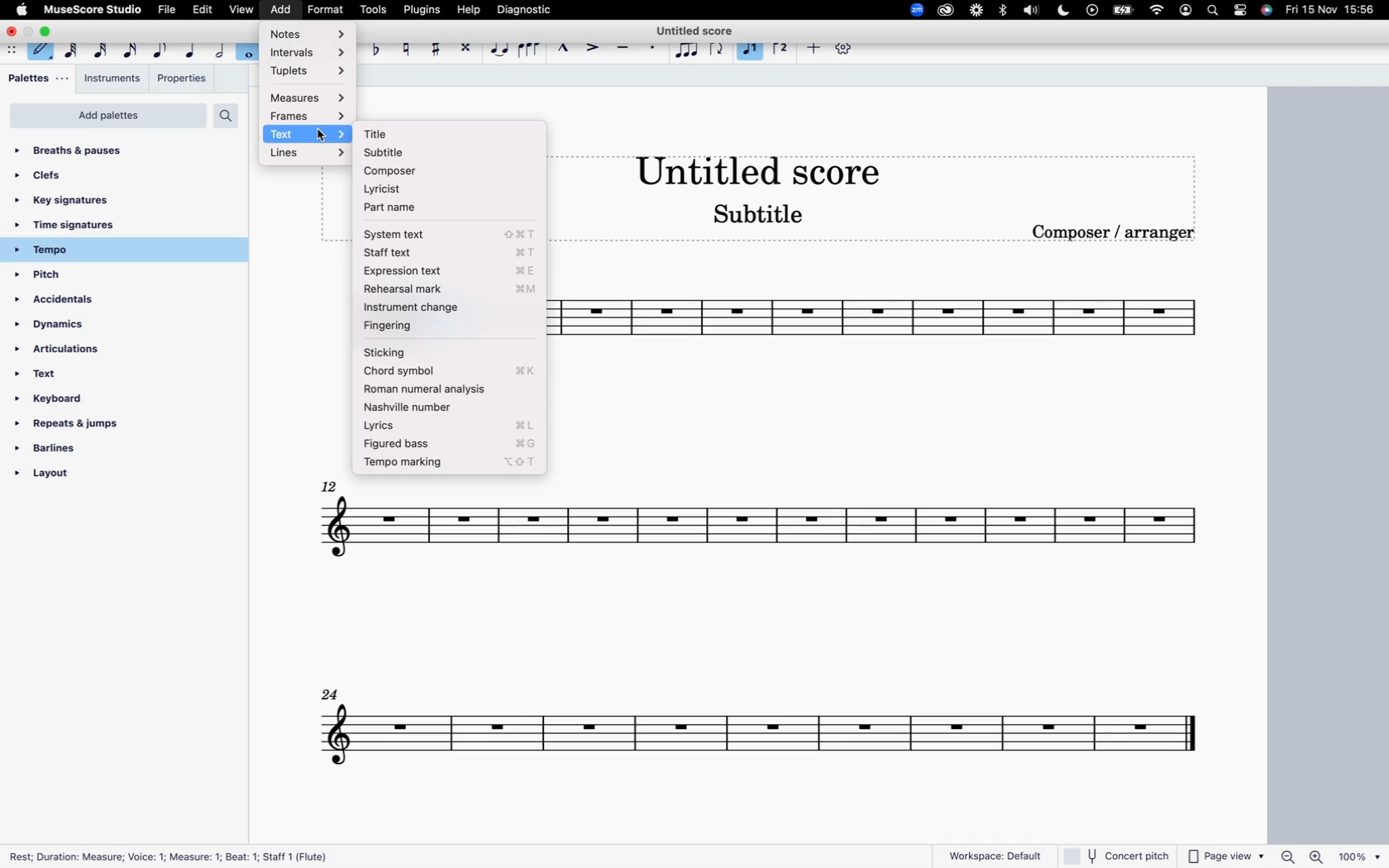 This screenshot has height=868, width=1389. I want to click on add, so click(277, 9).